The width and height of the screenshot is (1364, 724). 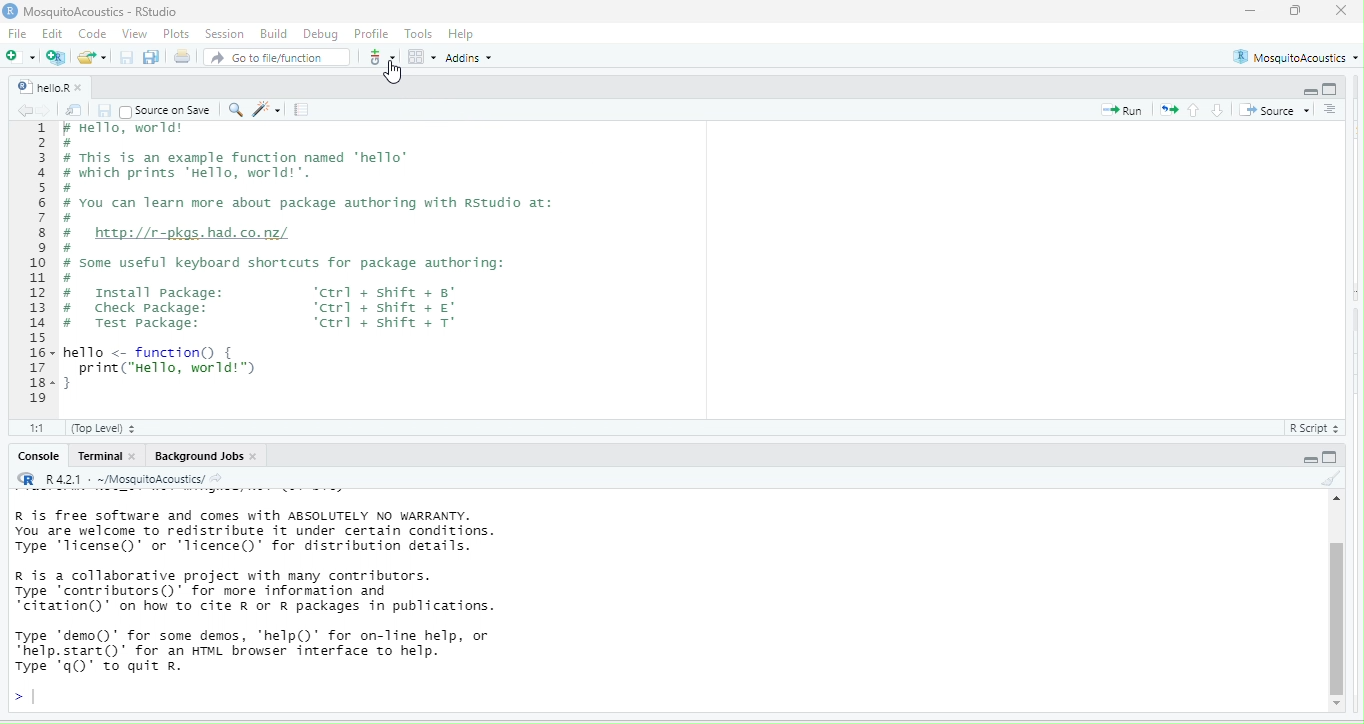 I want to click on  Terminal, so click(x=99, y=457).